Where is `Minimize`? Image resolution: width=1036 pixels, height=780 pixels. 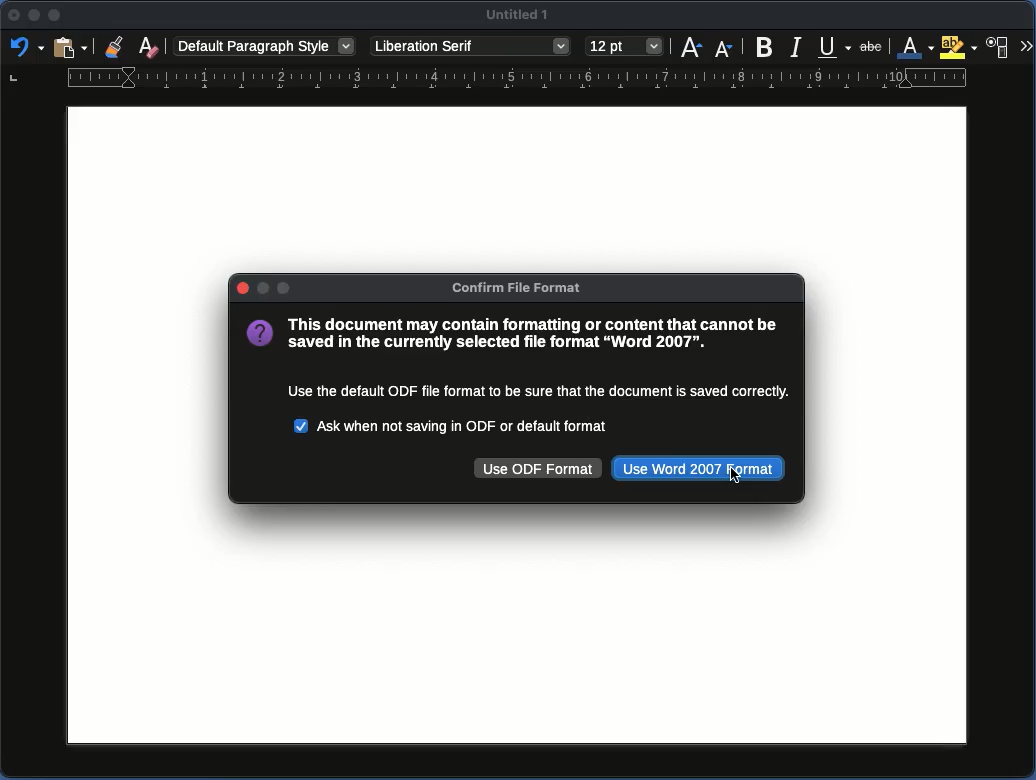 Minimize is located at coordinates (35, 18).